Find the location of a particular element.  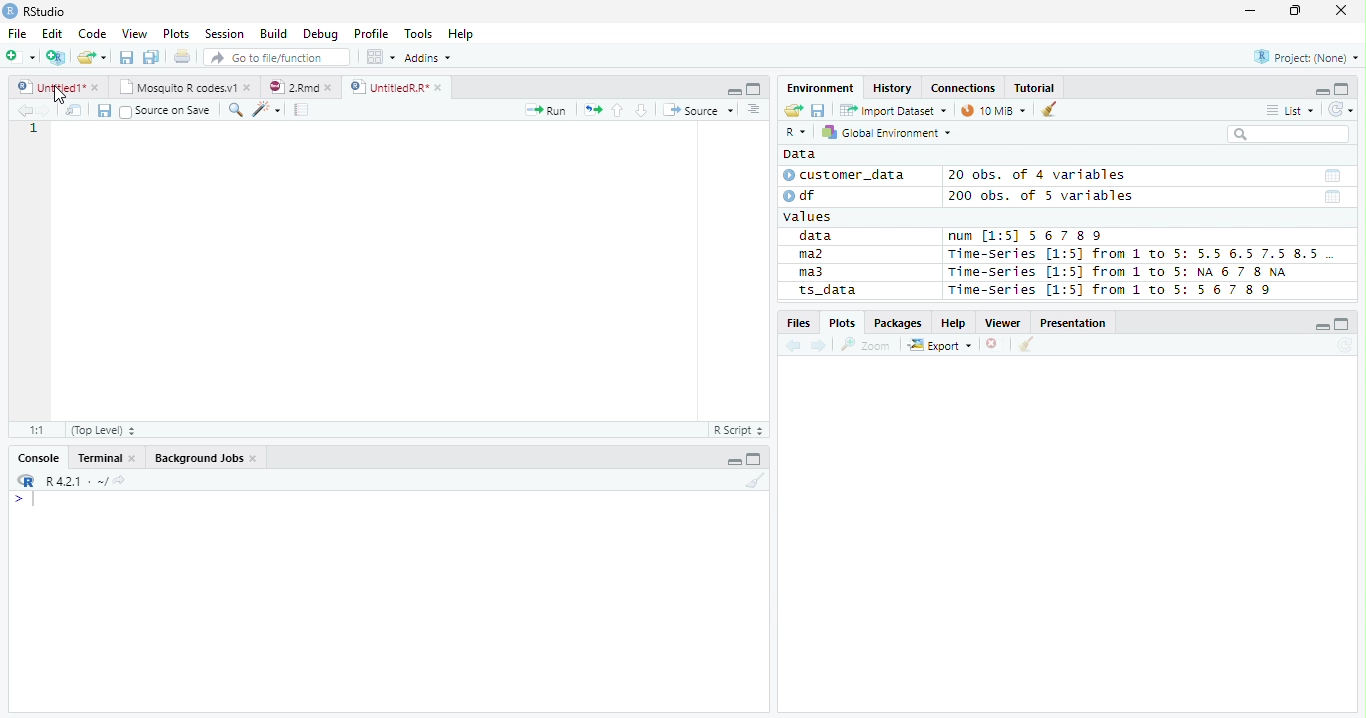

R 4.2.1 ~/ is located at coordinates (75, 480).